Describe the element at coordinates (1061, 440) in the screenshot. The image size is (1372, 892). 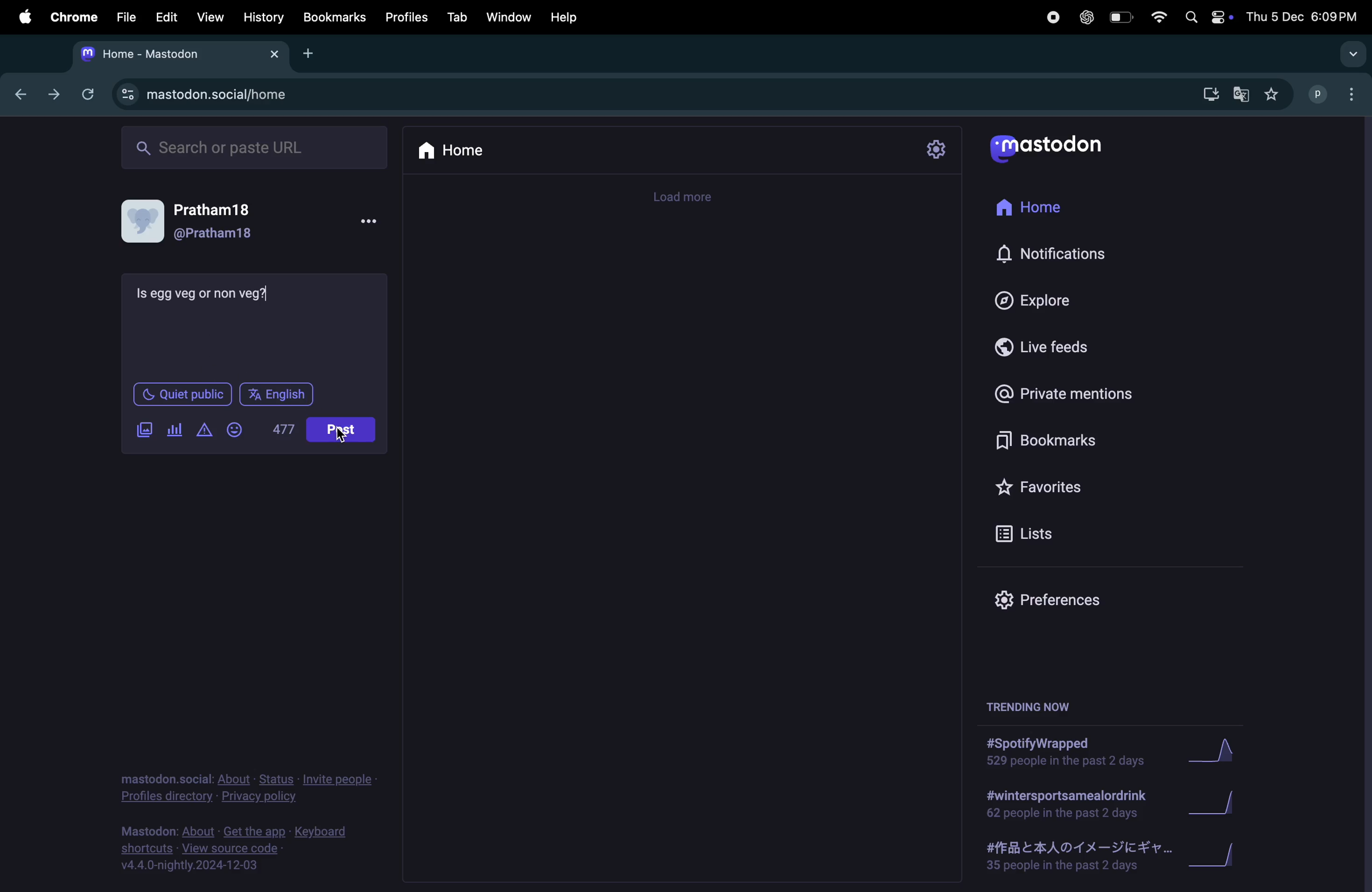
I see `Bookmarks` at that location.